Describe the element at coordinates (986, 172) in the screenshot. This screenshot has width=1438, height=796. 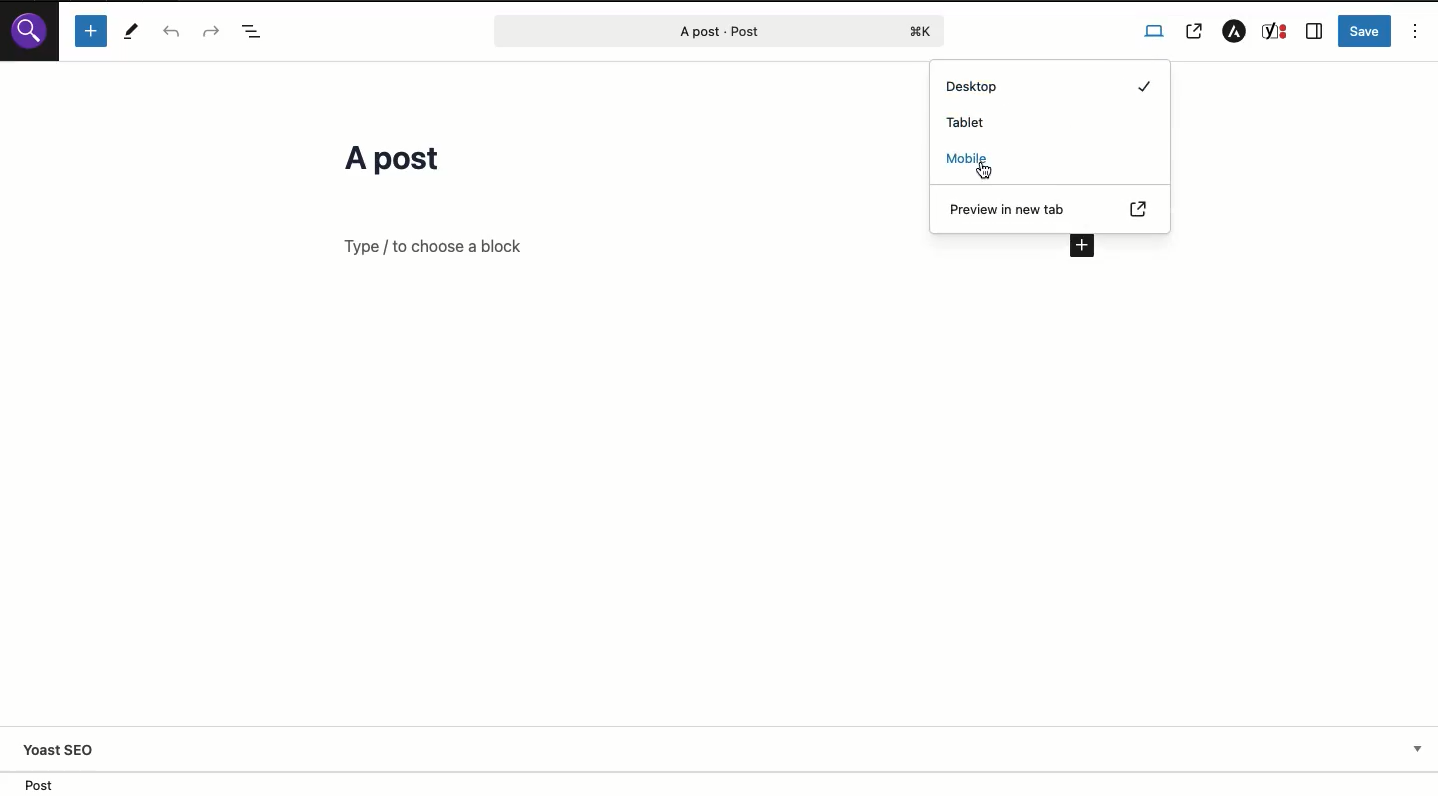
I see `cursor` at that location.